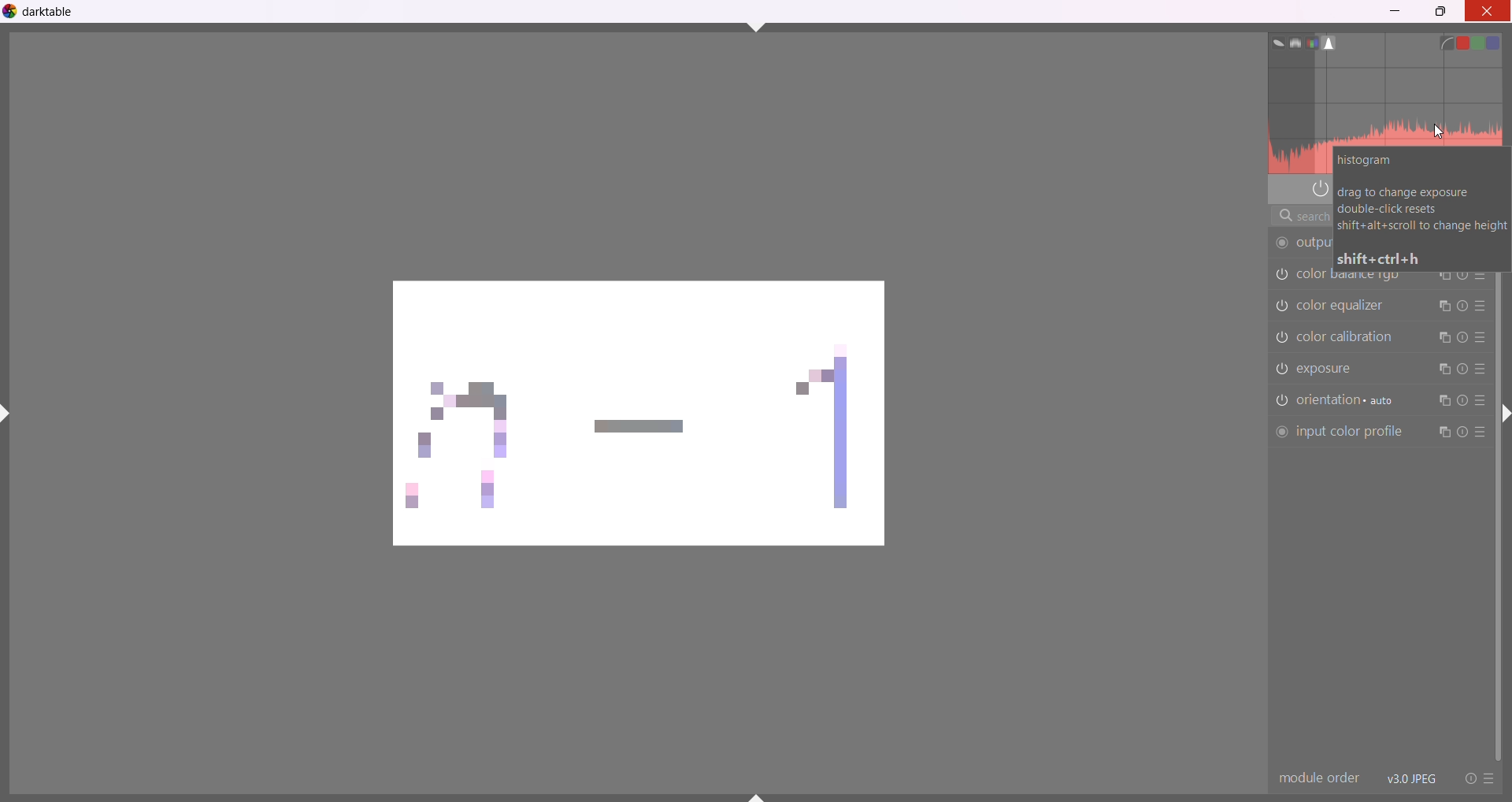 The image size is (1512, 802). What do you see at coordinates (1353, 336) in the screenshot?
I see `color calibration` at bounding box center [1353, 336].